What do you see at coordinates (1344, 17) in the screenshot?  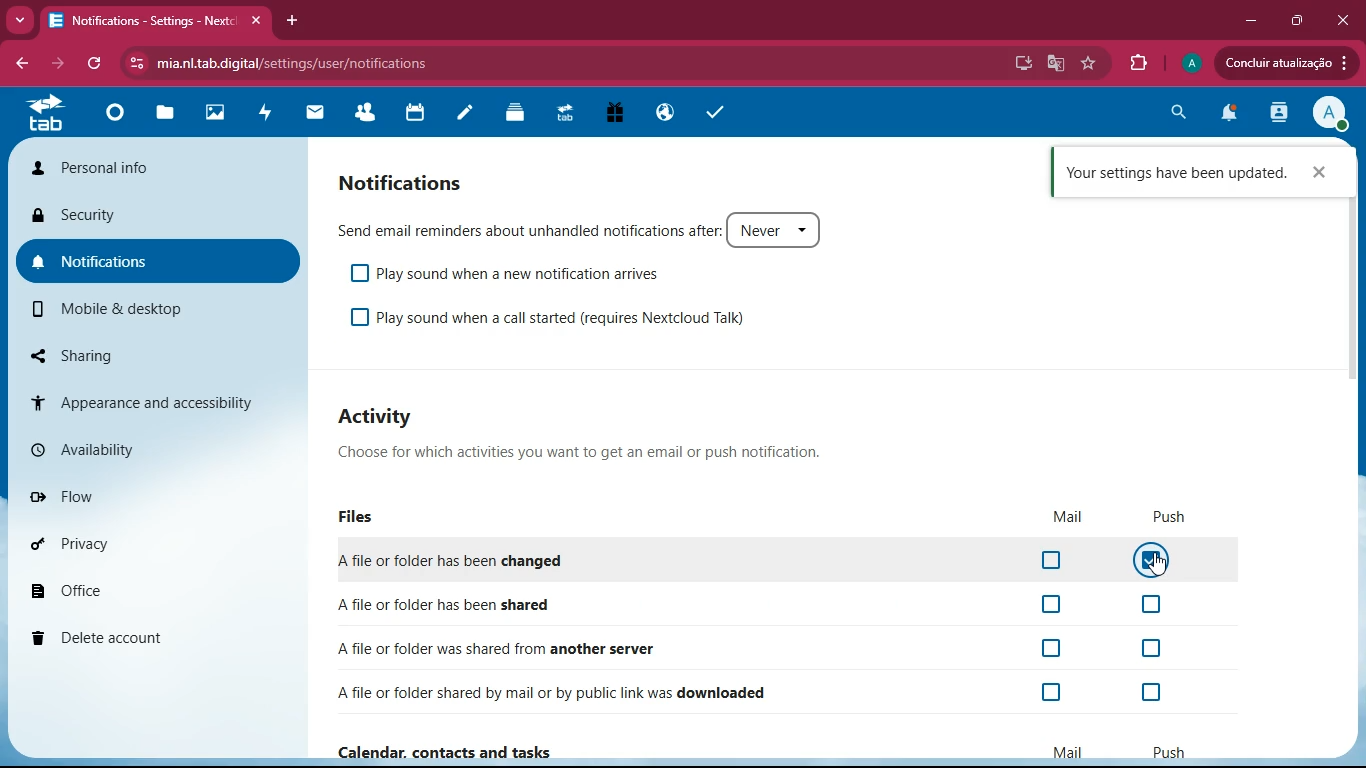 I see `close` at bounding box center [1344, 17].